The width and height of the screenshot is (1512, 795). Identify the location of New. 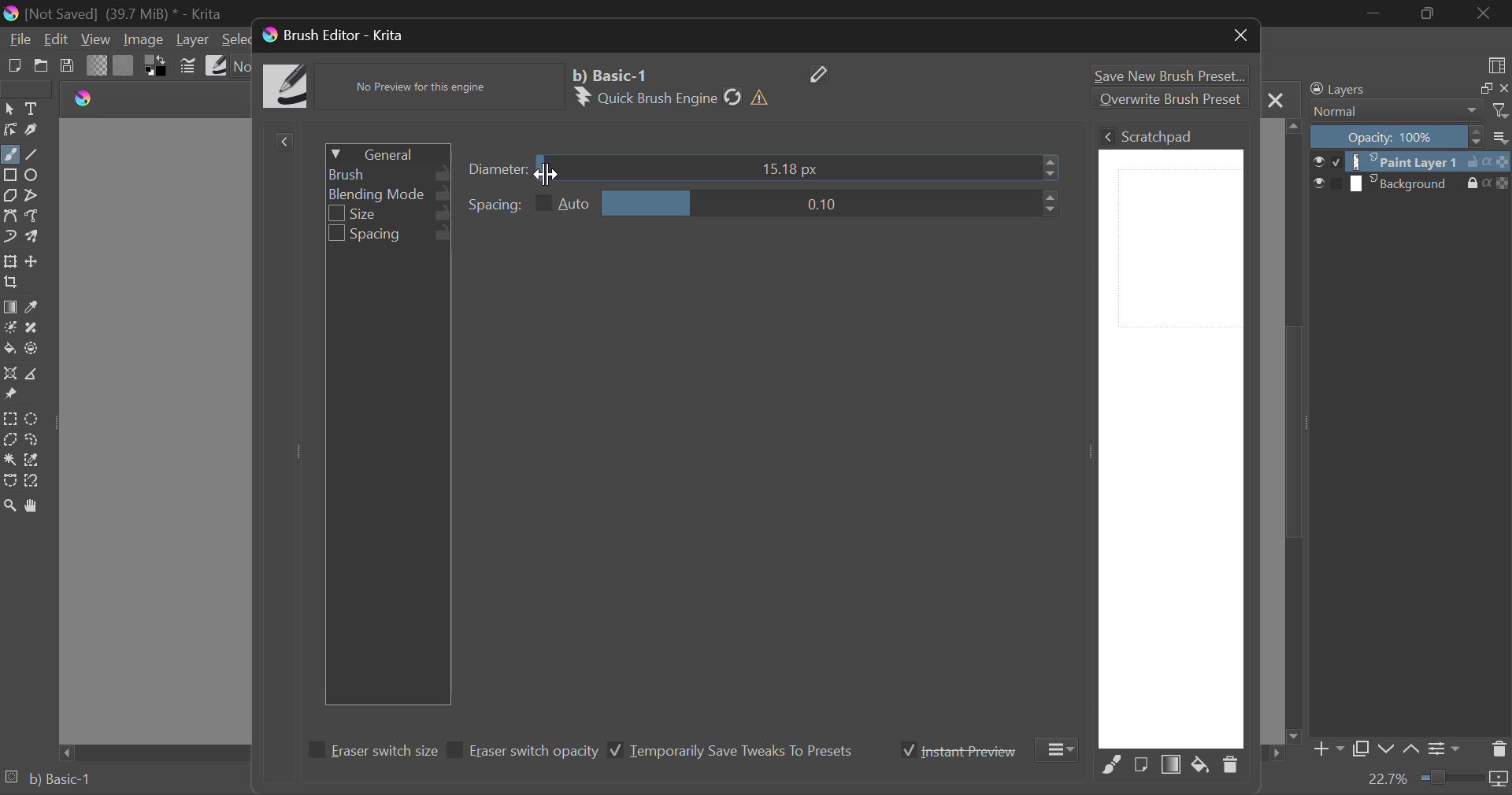
(13, 66).